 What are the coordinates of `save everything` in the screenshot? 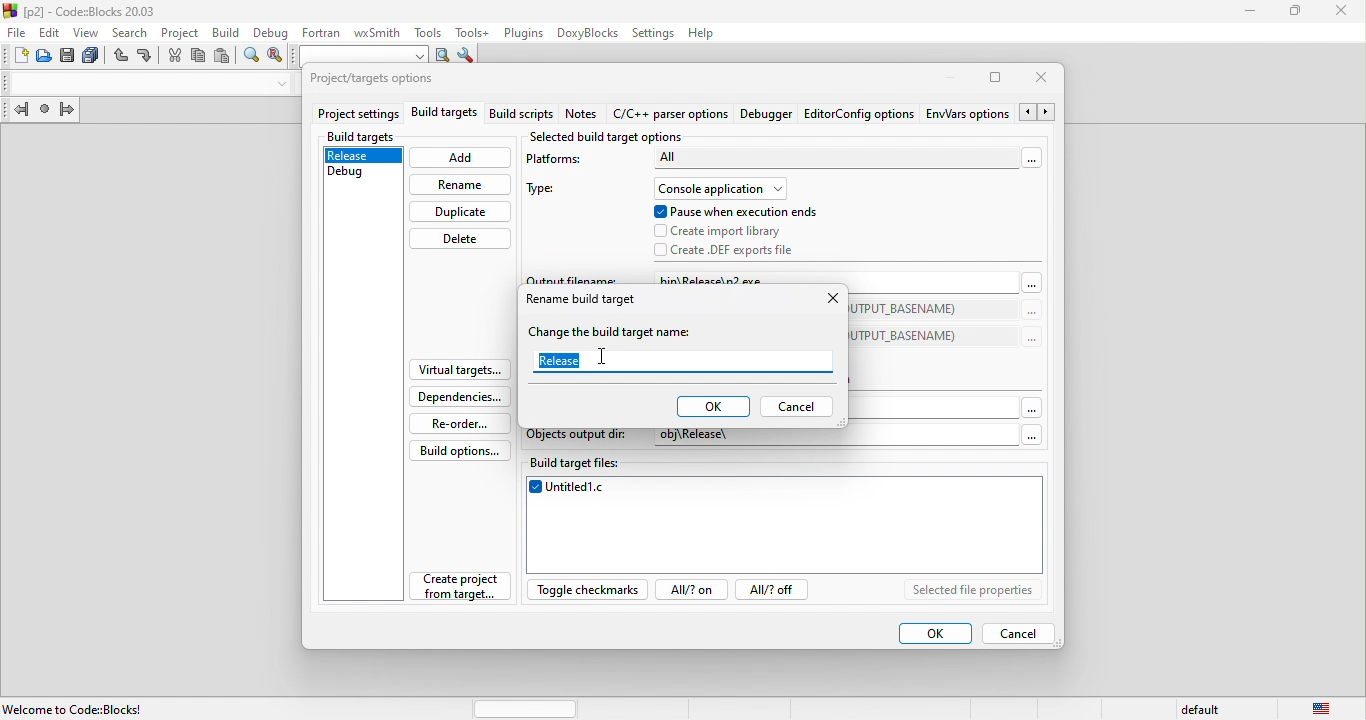 It's located at (94, 57).